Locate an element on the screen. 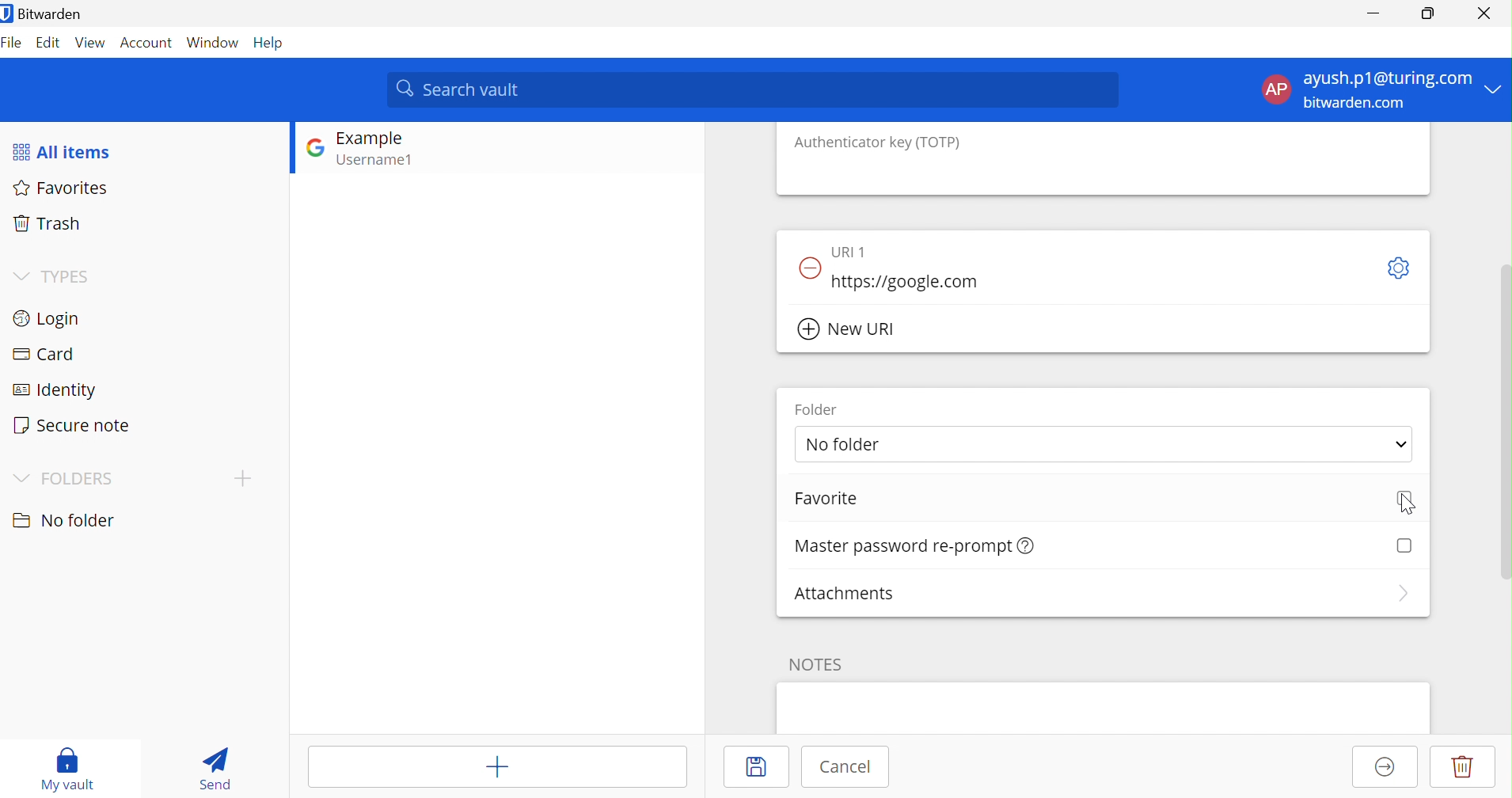  Account is located at coordinates (146, 42).